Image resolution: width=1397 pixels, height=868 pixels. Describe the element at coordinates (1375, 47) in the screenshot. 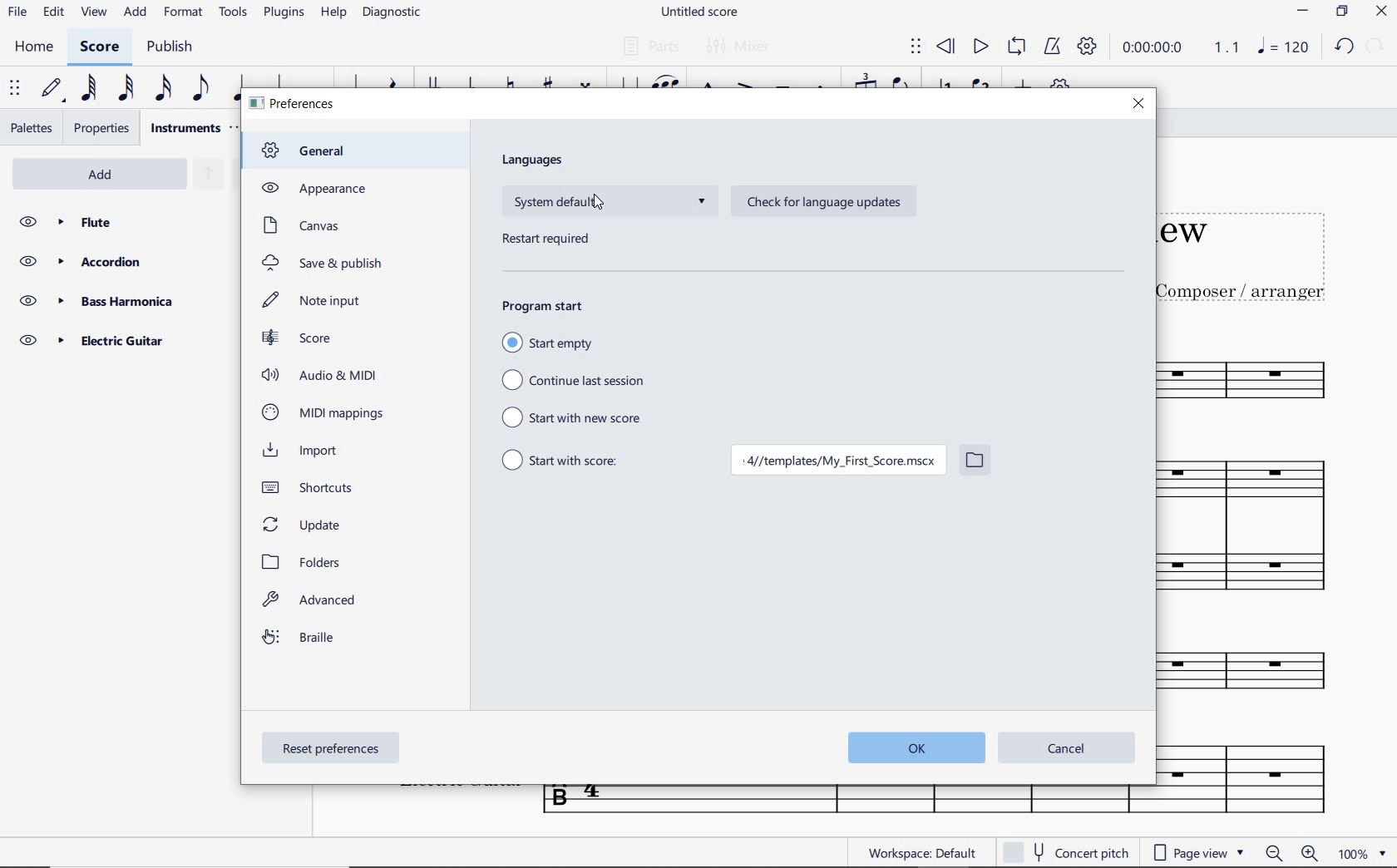

I see `REDO` at that location.